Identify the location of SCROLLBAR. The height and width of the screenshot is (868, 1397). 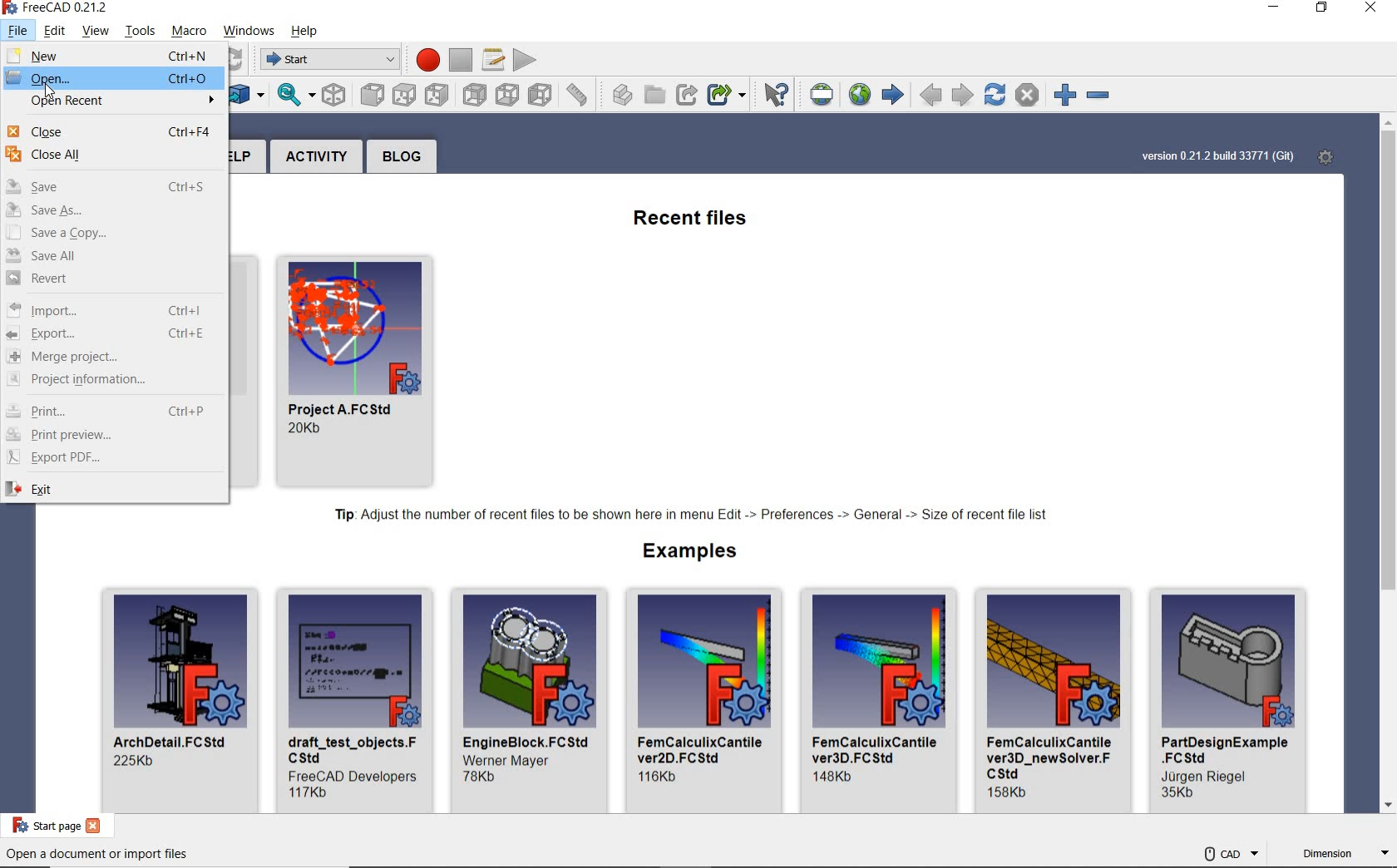
(1389, 466).